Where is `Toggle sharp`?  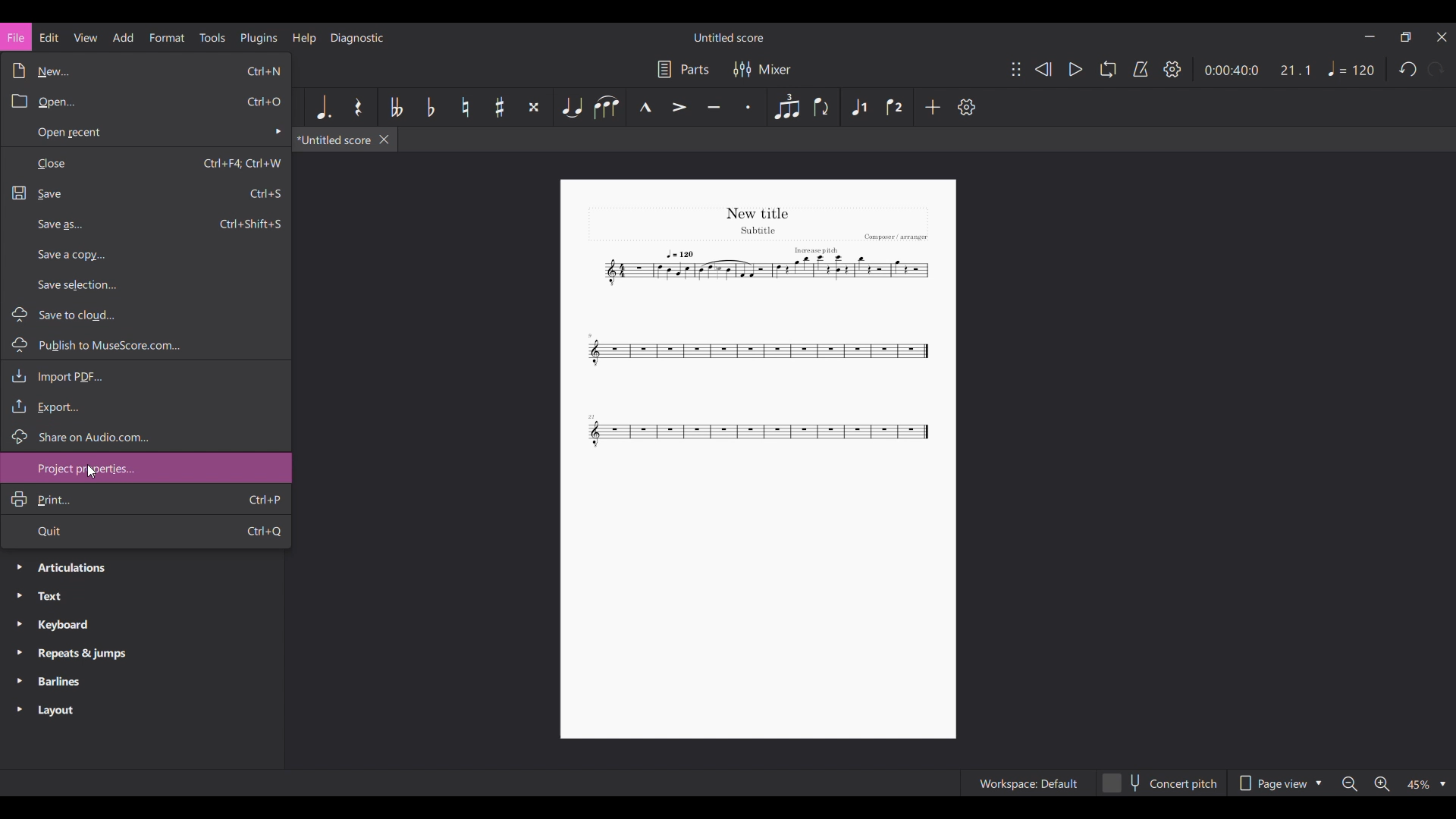 Toggle sharp is located at coordinates (500, 107).